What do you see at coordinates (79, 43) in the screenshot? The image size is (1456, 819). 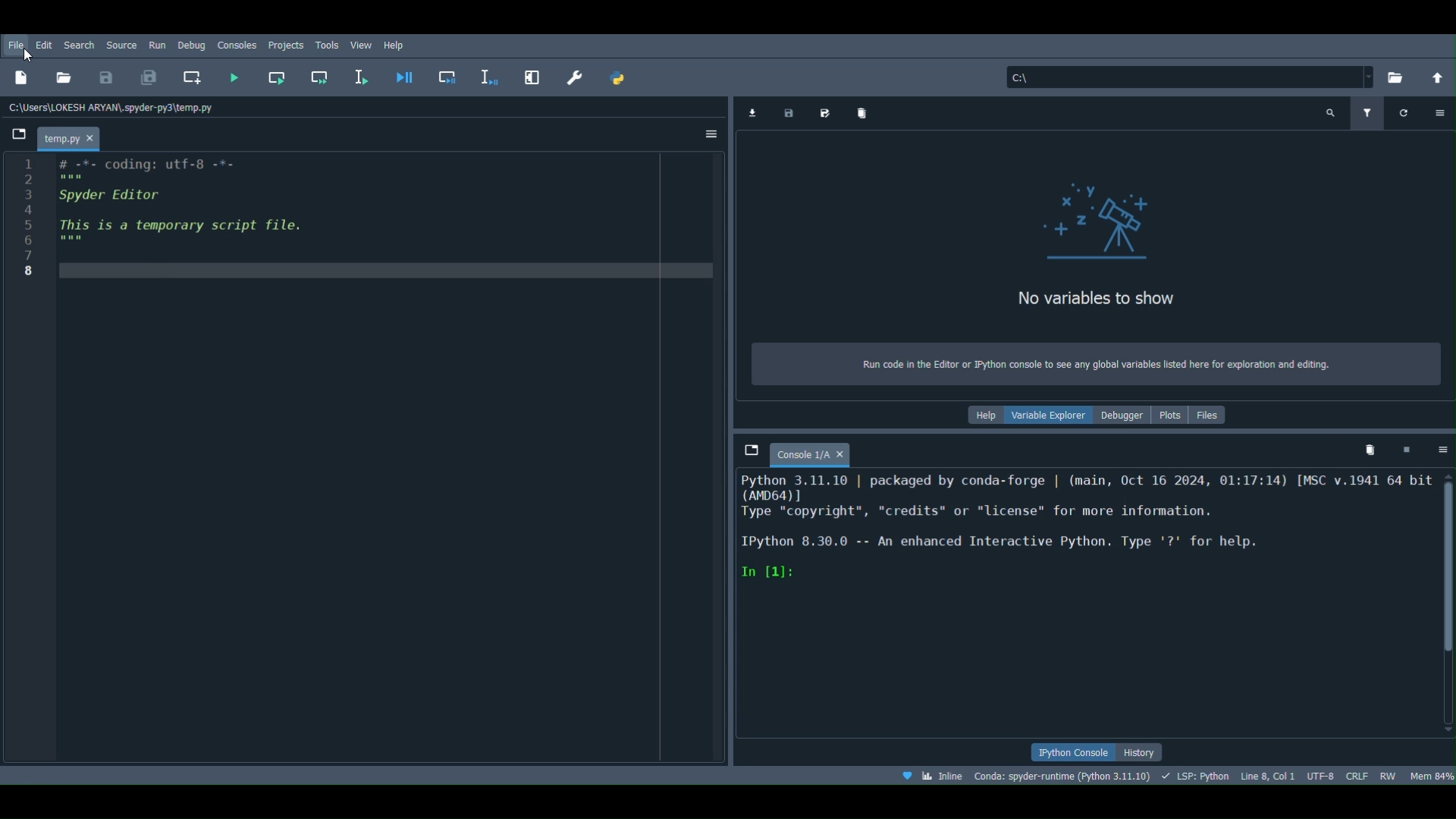 I see `Search` at bounding box center [79, 43].